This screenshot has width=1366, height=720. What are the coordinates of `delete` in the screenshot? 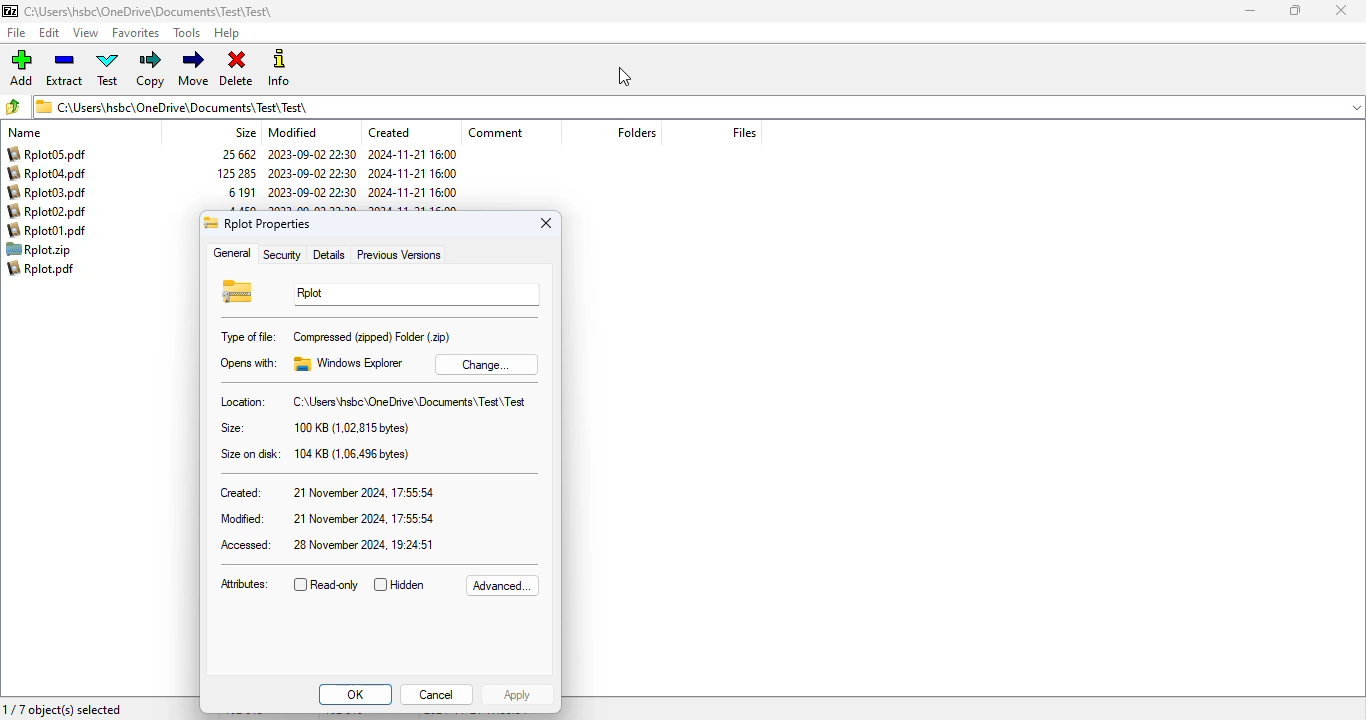 It's located at (237, 68).